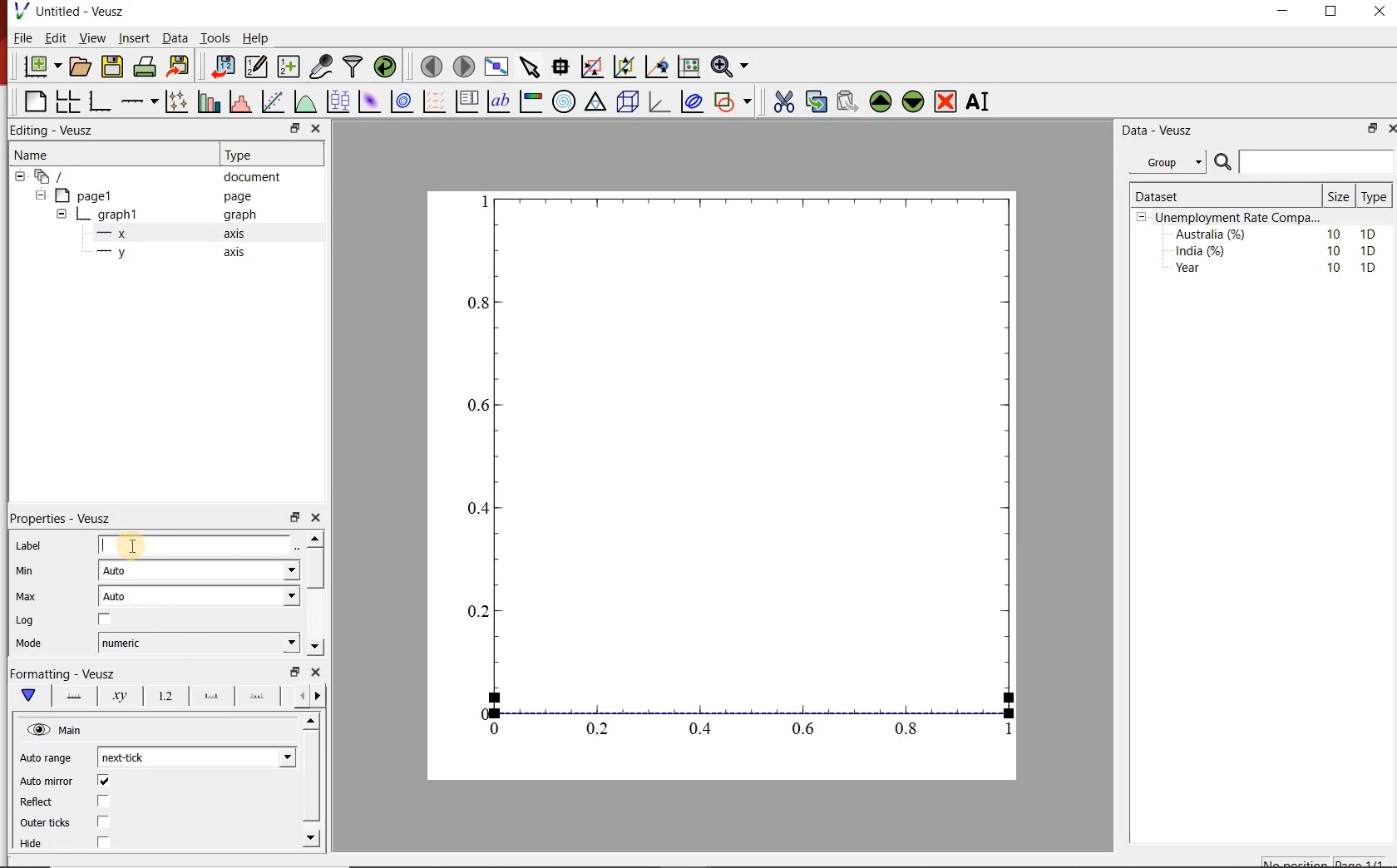 The width and height of the screenshot is (1397, 868). I want to click on click to resset graph axes, so click(689, 65).